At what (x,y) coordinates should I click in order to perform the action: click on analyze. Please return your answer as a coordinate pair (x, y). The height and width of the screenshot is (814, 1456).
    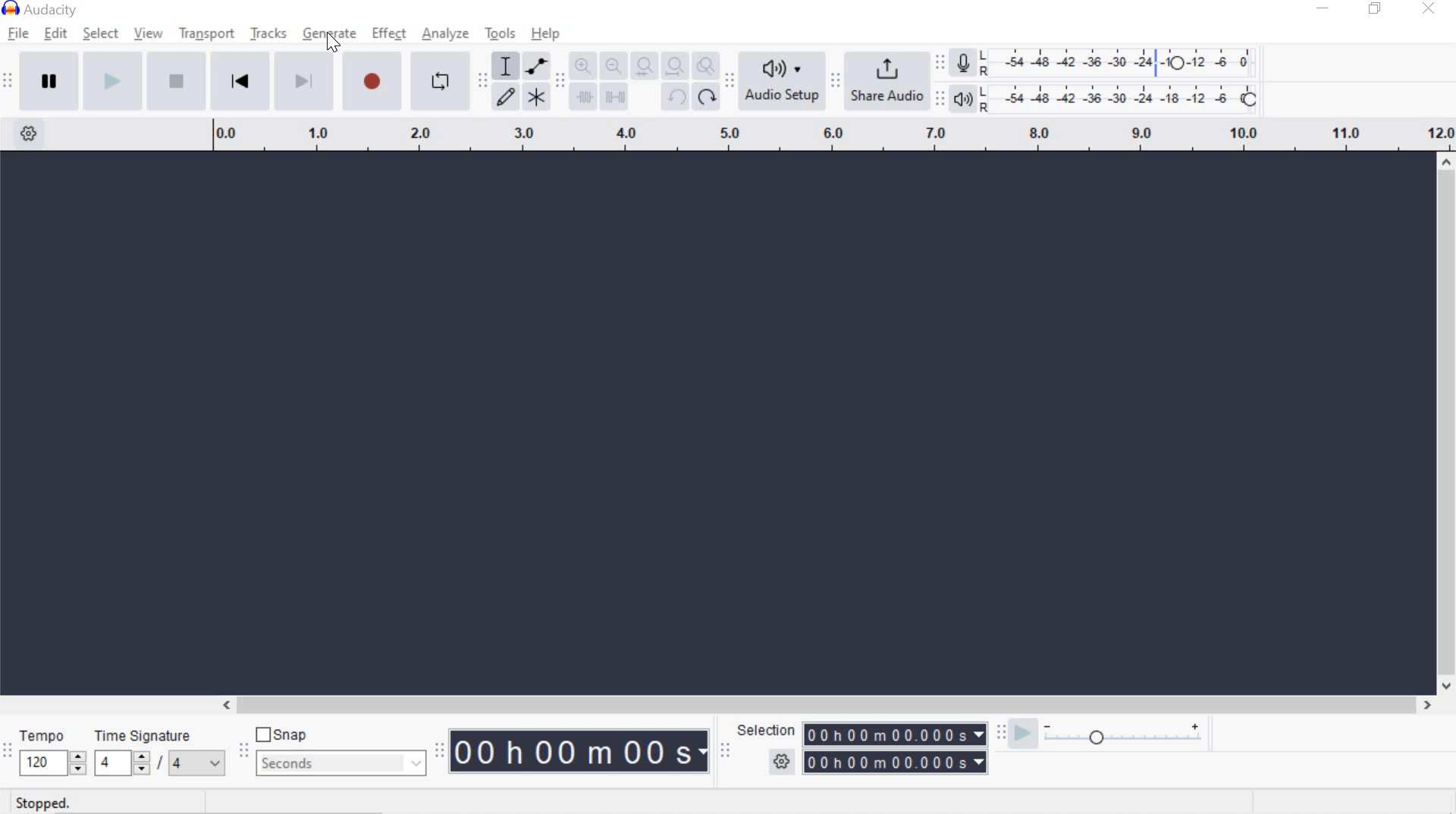
    Looking at the image, I should click on (445, 35).